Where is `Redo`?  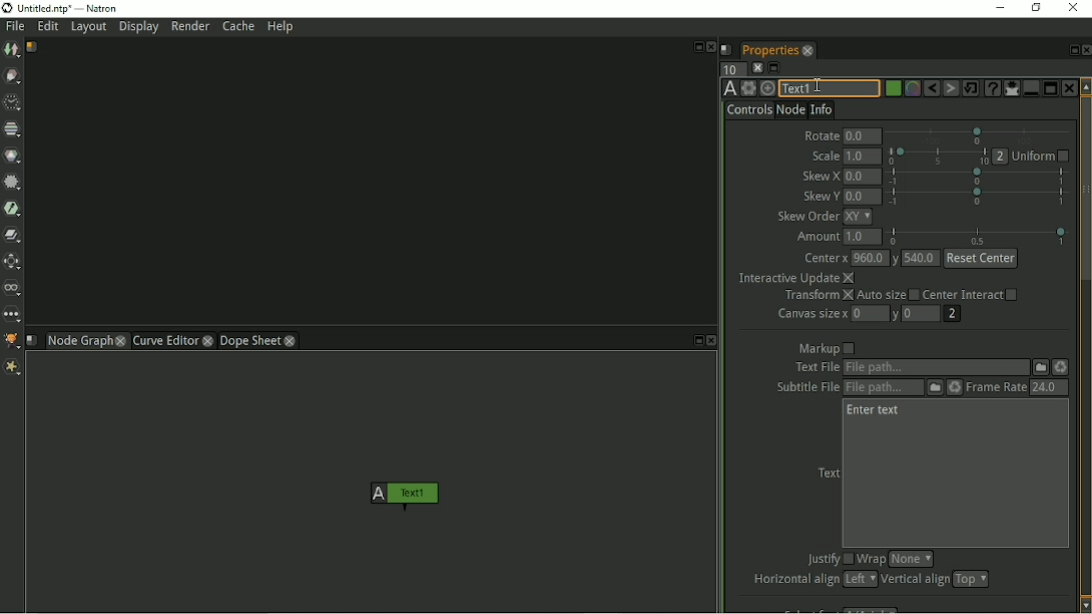
Redo is located at coordinates (951, 89).